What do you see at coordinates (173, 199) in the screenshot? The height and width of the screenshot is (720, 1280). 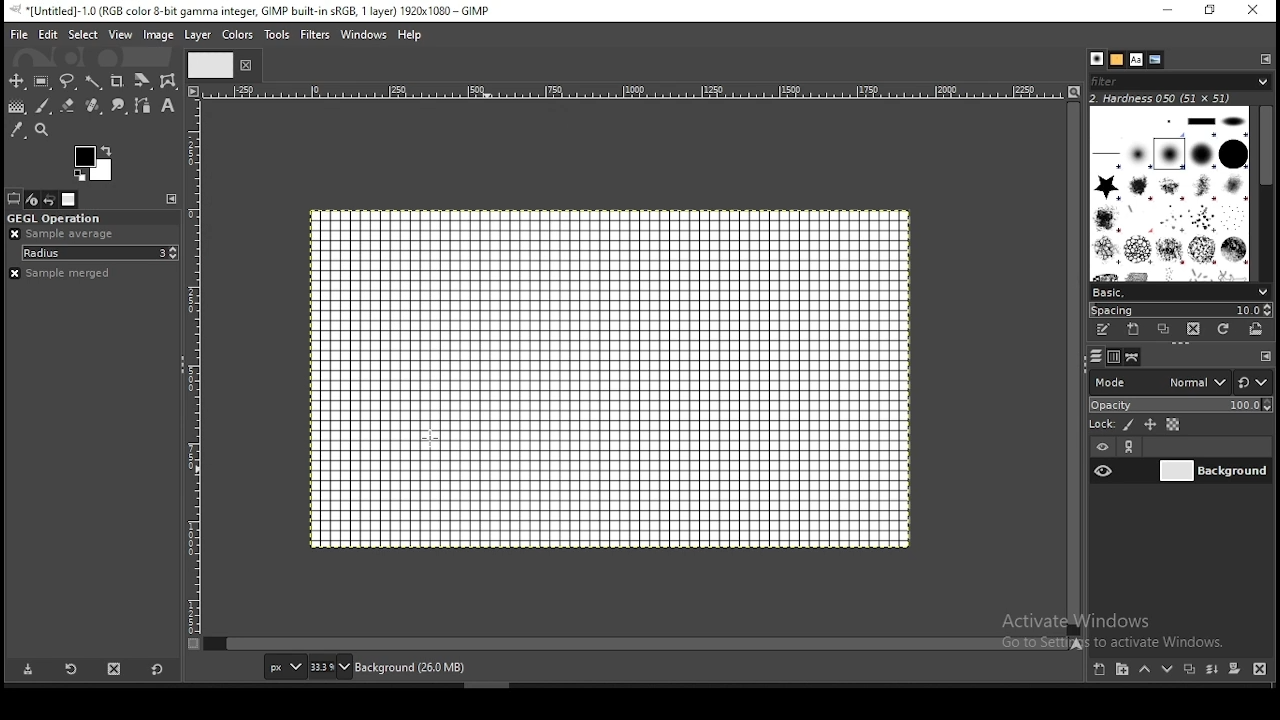 I see `cinfigure this tab` at bounding box center [173, 199].